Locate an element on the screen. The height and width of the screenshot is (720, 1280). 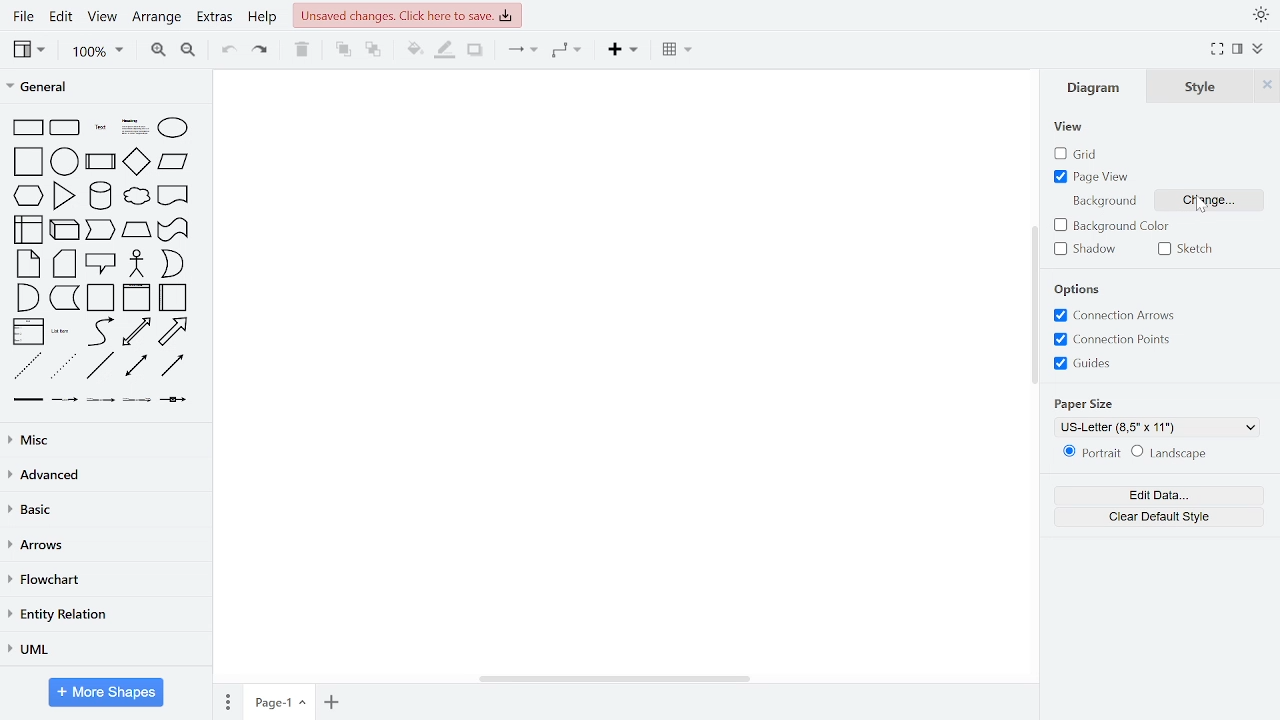
general shapes is located at coordinates (134, 399).